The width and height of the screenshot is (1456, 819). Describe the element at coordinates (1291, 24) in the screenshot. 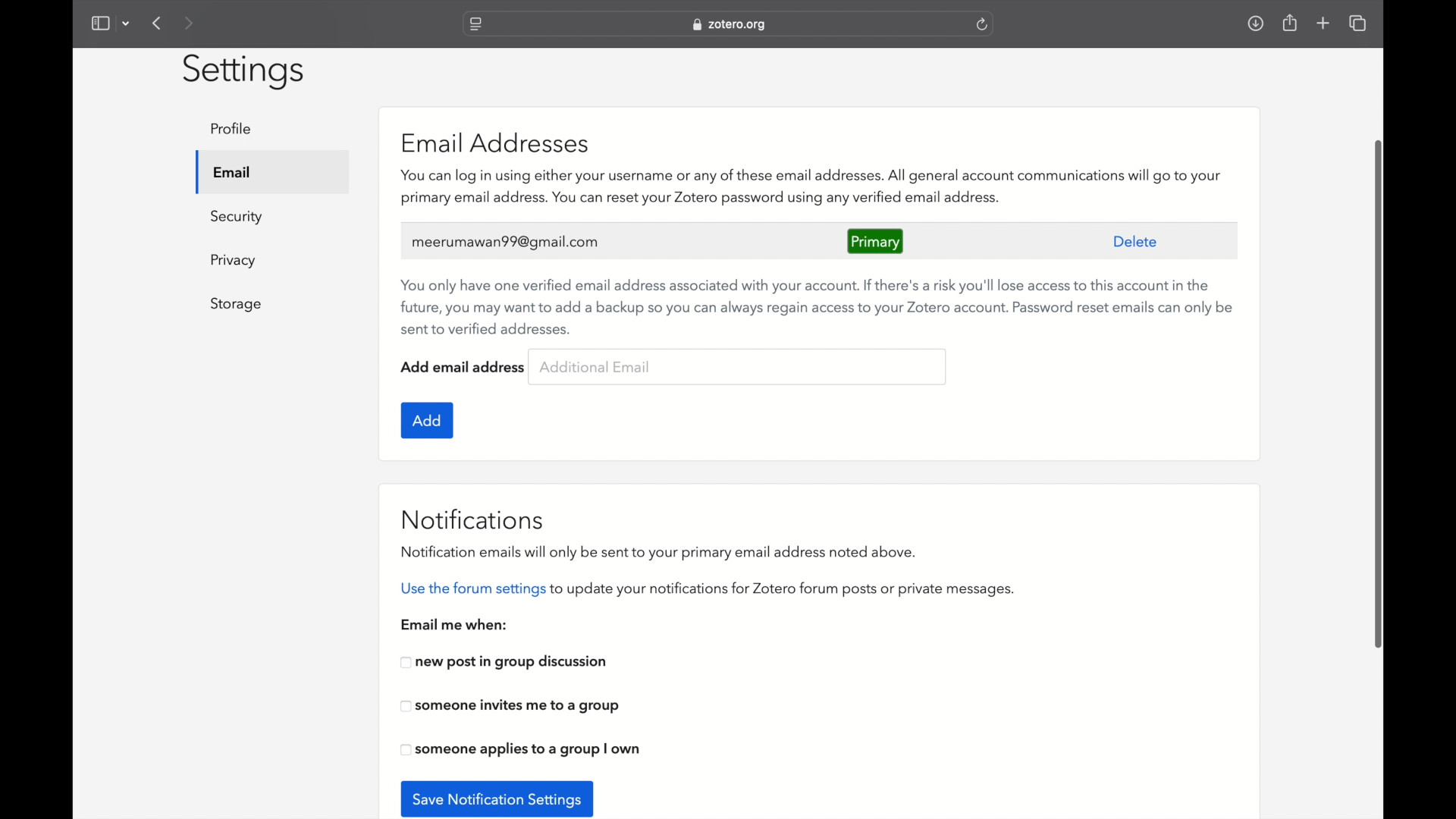

I see `share` at that location.